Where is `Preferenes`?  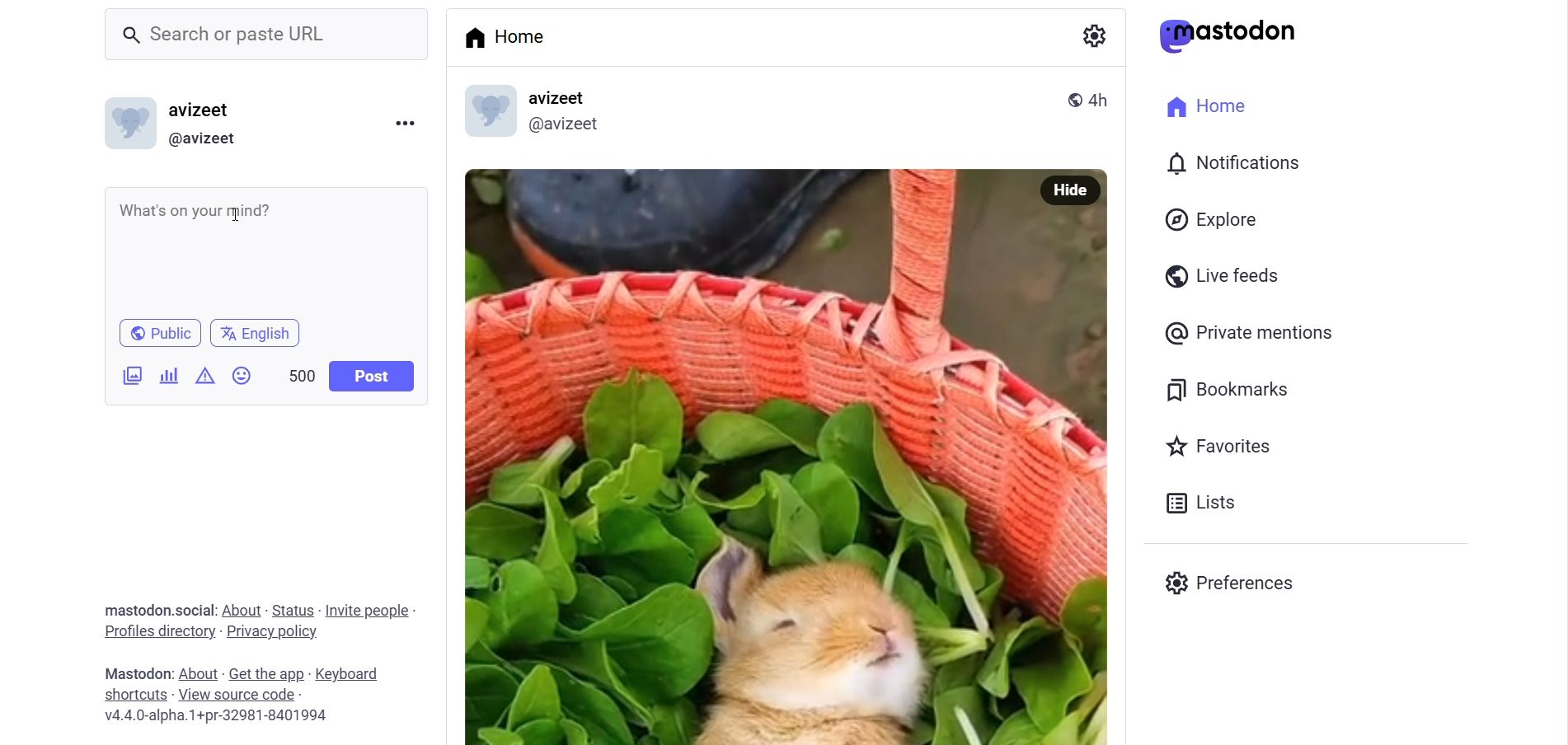 Preferenes is located at coordinates (1232, 584).